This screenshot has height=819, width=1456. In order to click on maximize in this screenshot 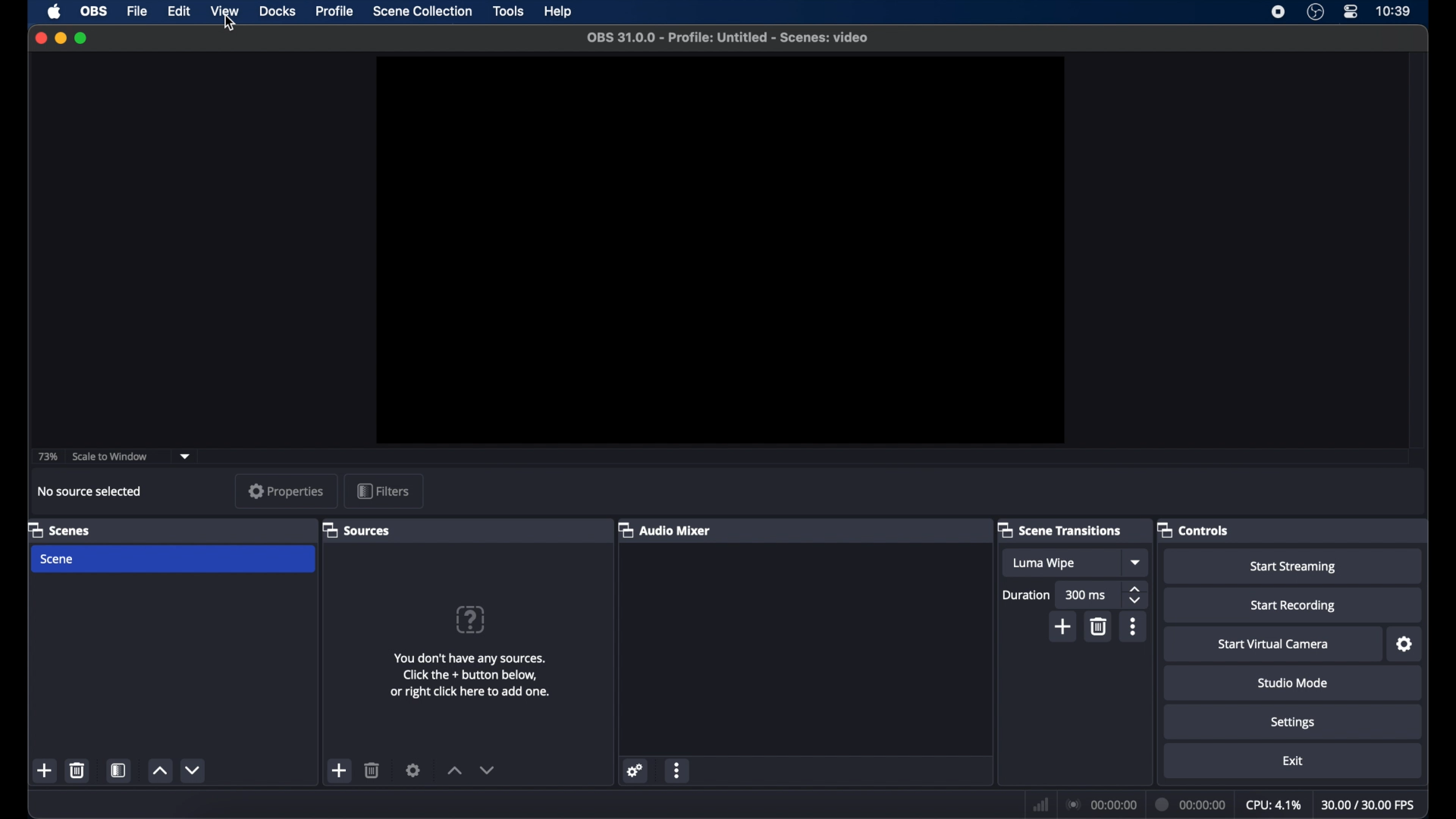, I will do `click(83, 38)`.